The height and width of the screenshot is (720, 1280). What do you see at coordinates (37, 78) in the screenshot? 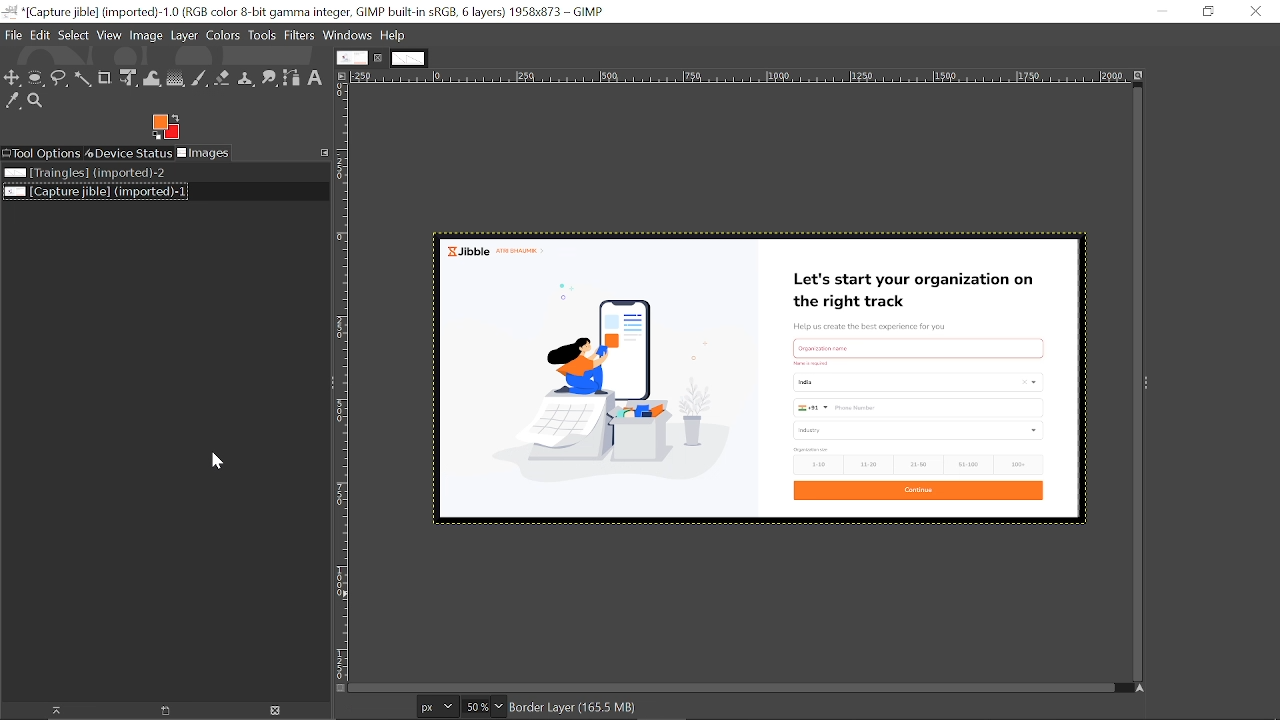
I see `Ellipse select tool` at bounding box center [37, 78].